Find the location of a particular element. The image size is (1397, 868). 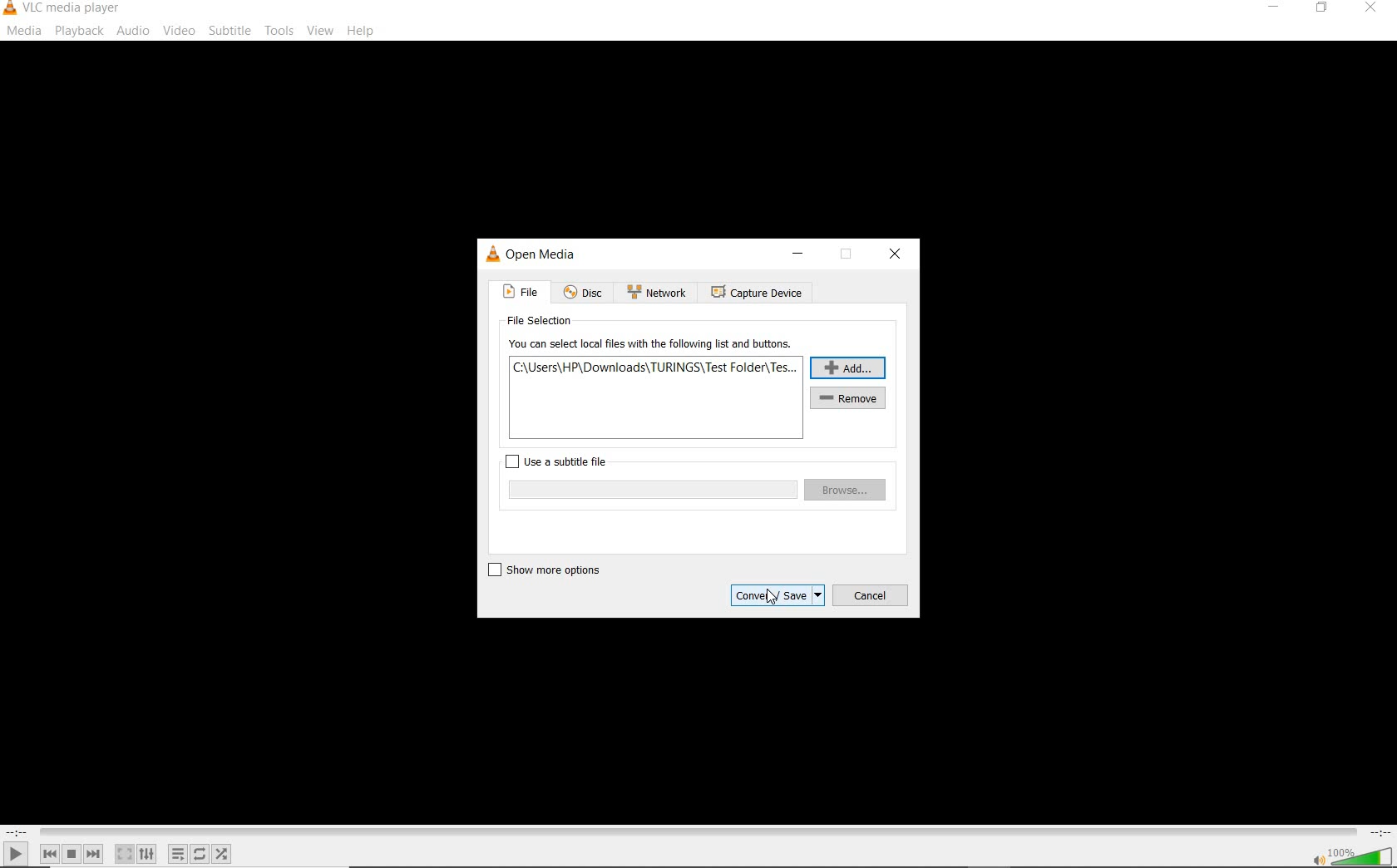

system name is located at coordinates (63, 9).